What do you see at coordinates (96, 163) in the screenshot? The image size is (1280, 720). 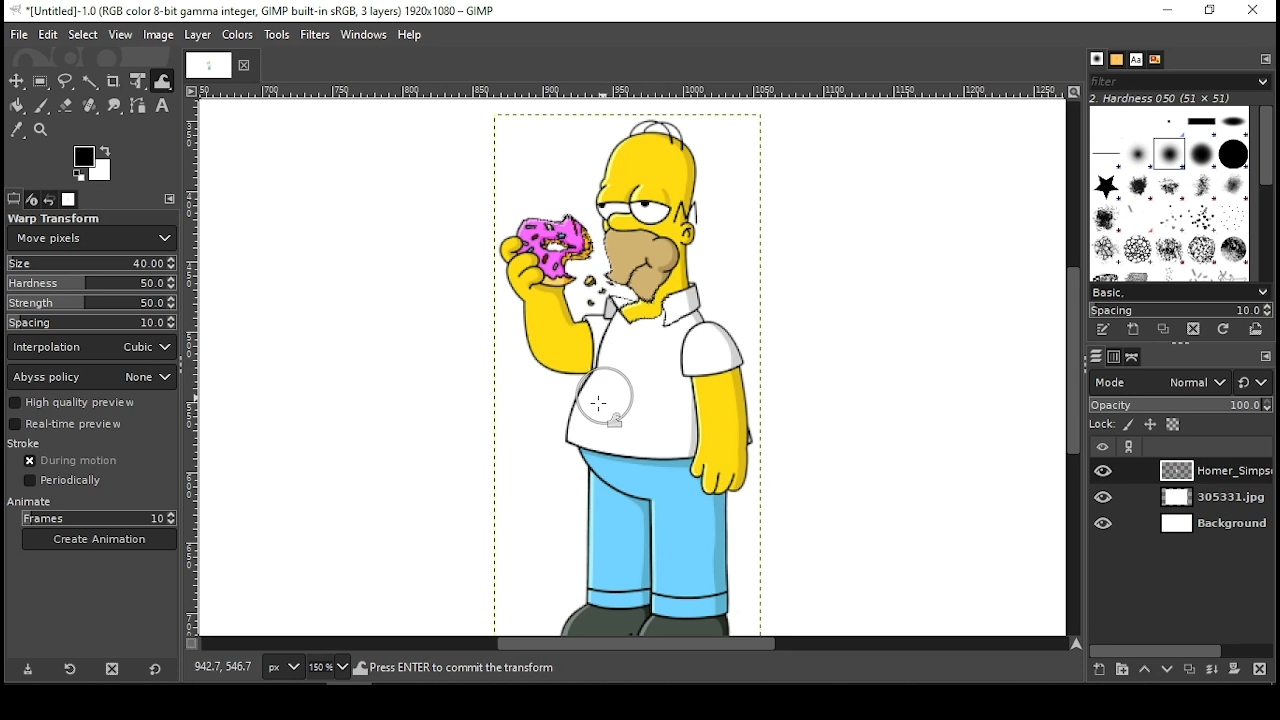 I see `colors` at bounding box center [96, 163].